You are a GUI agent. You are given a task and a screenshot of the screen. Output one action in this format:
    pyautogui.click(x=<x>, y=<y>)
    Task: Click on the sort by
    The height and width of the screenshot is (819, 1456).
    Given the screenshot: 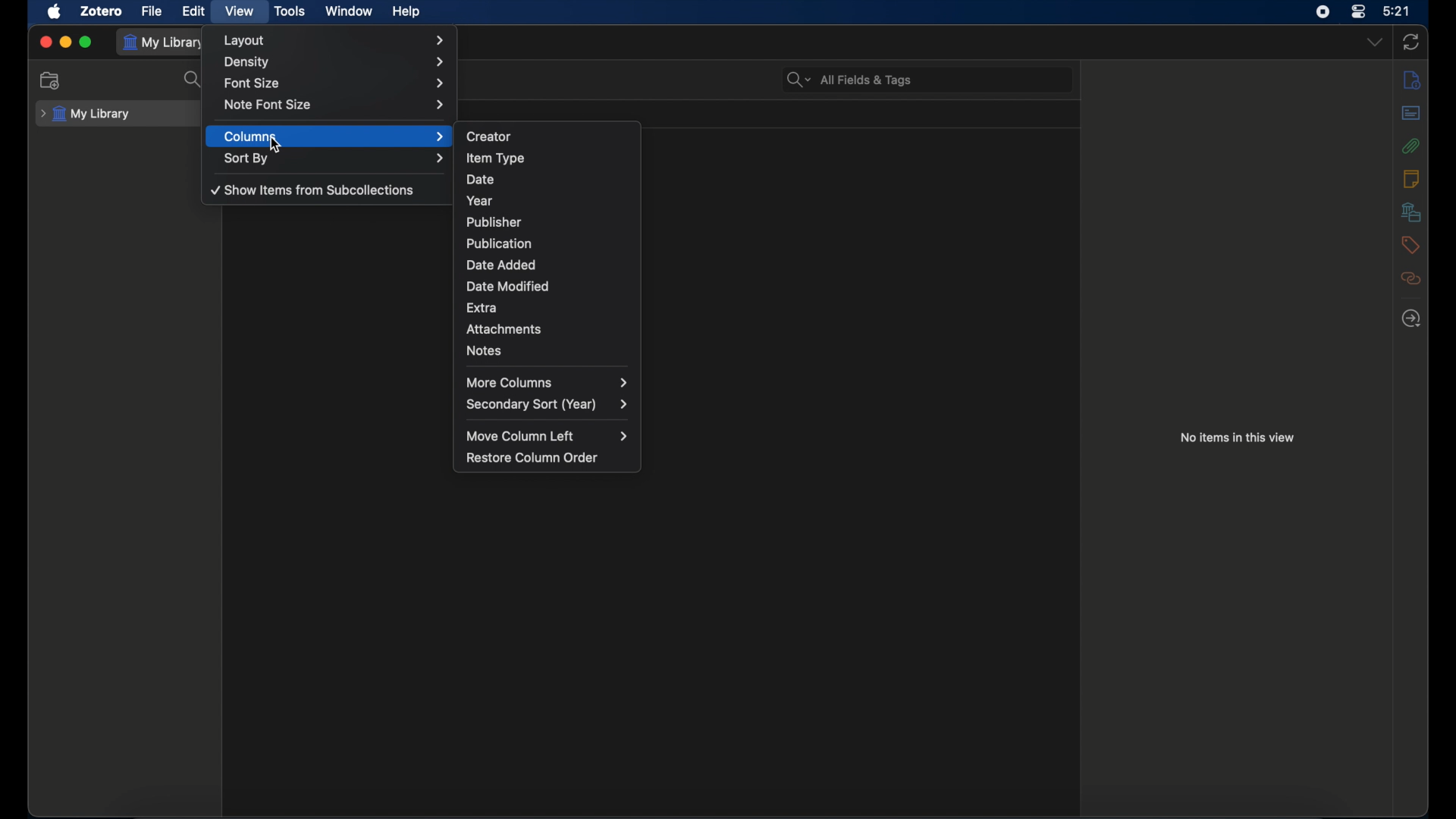 What is the action you would take?
    pyautogui.click(x=335, y=158)
    